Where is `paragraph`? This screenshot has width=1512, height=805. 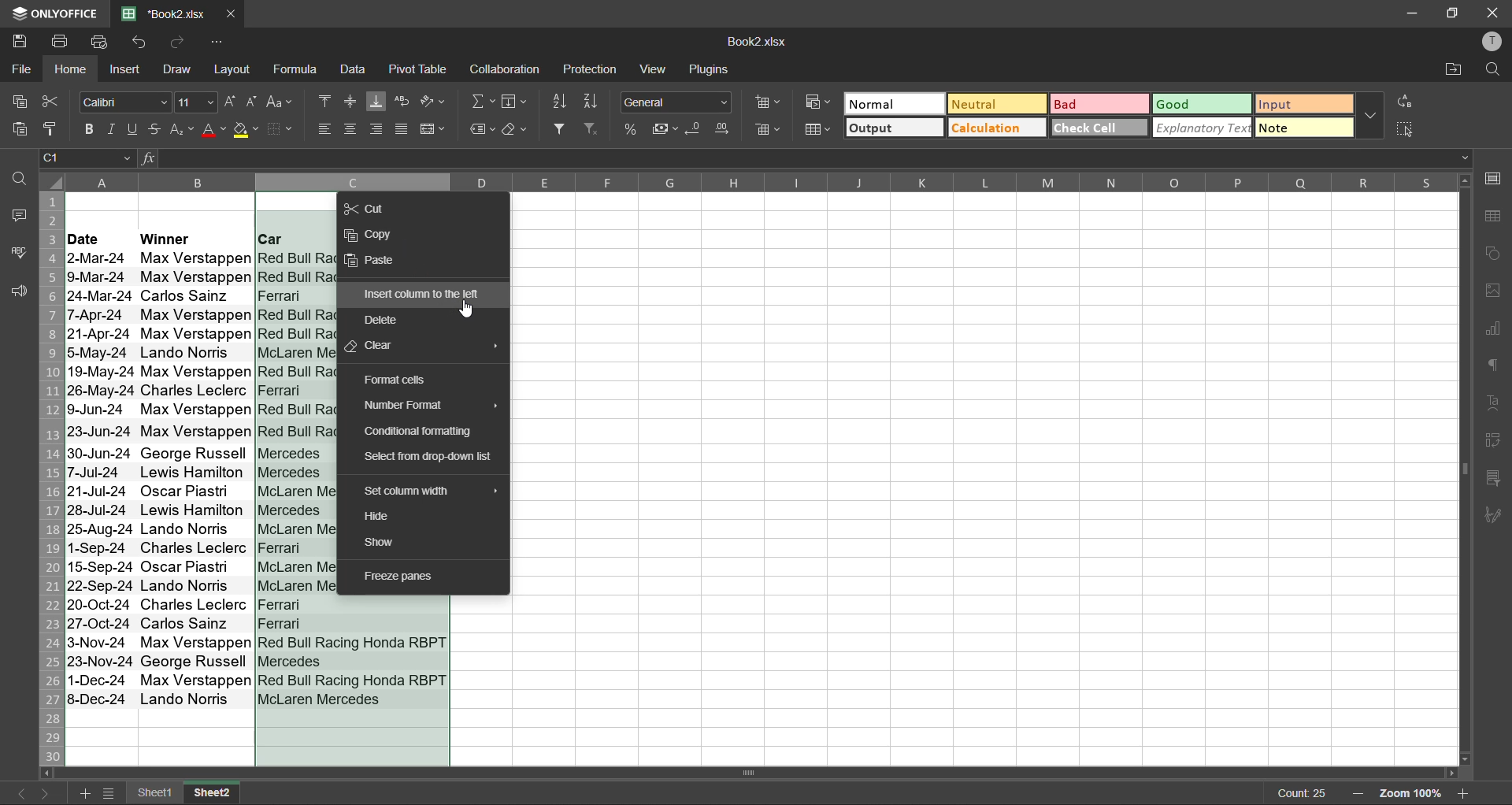 paragraph is located at coordinates (1493, 368).